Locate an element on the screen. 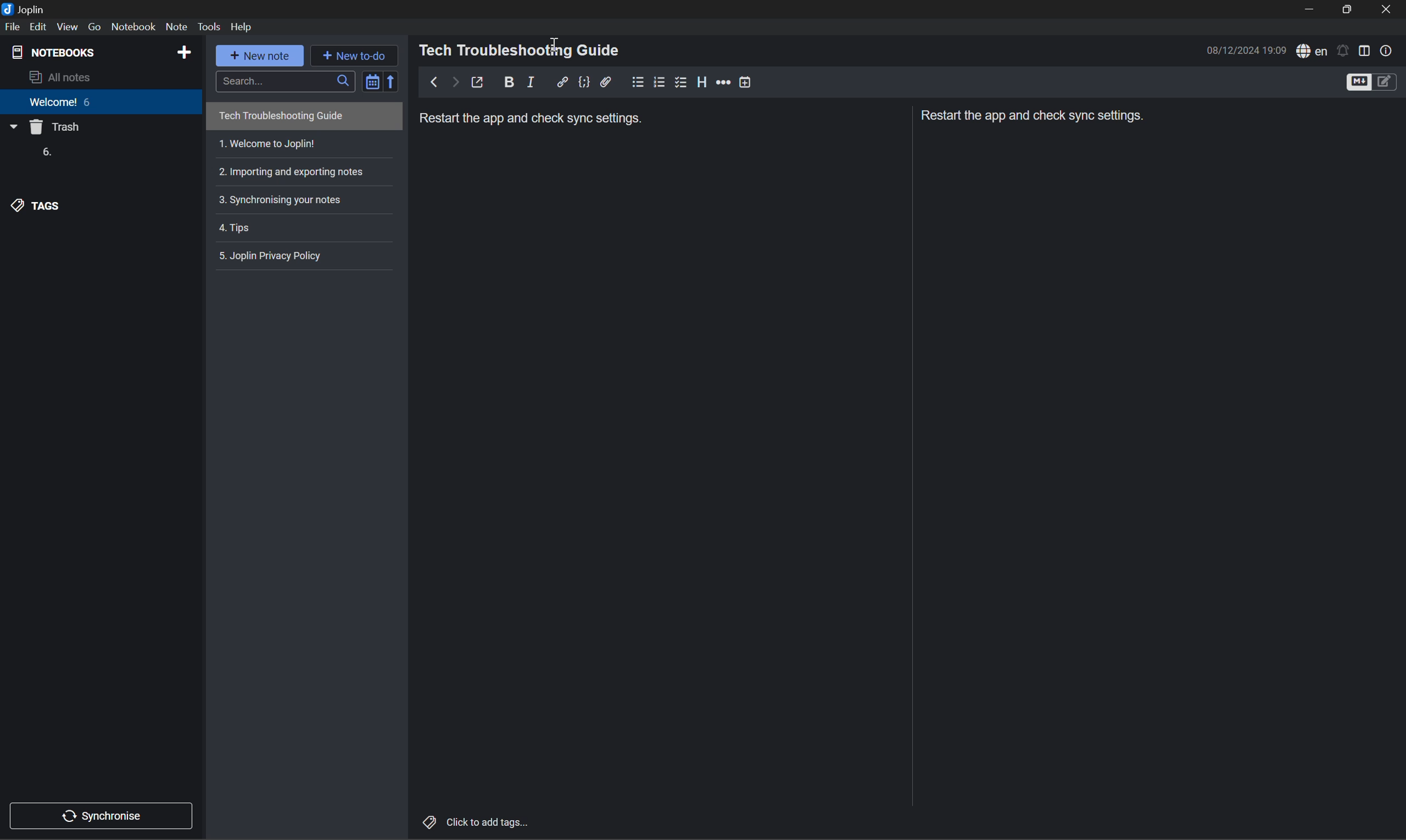  Toggle editors is located at coordinates (1369, 82).